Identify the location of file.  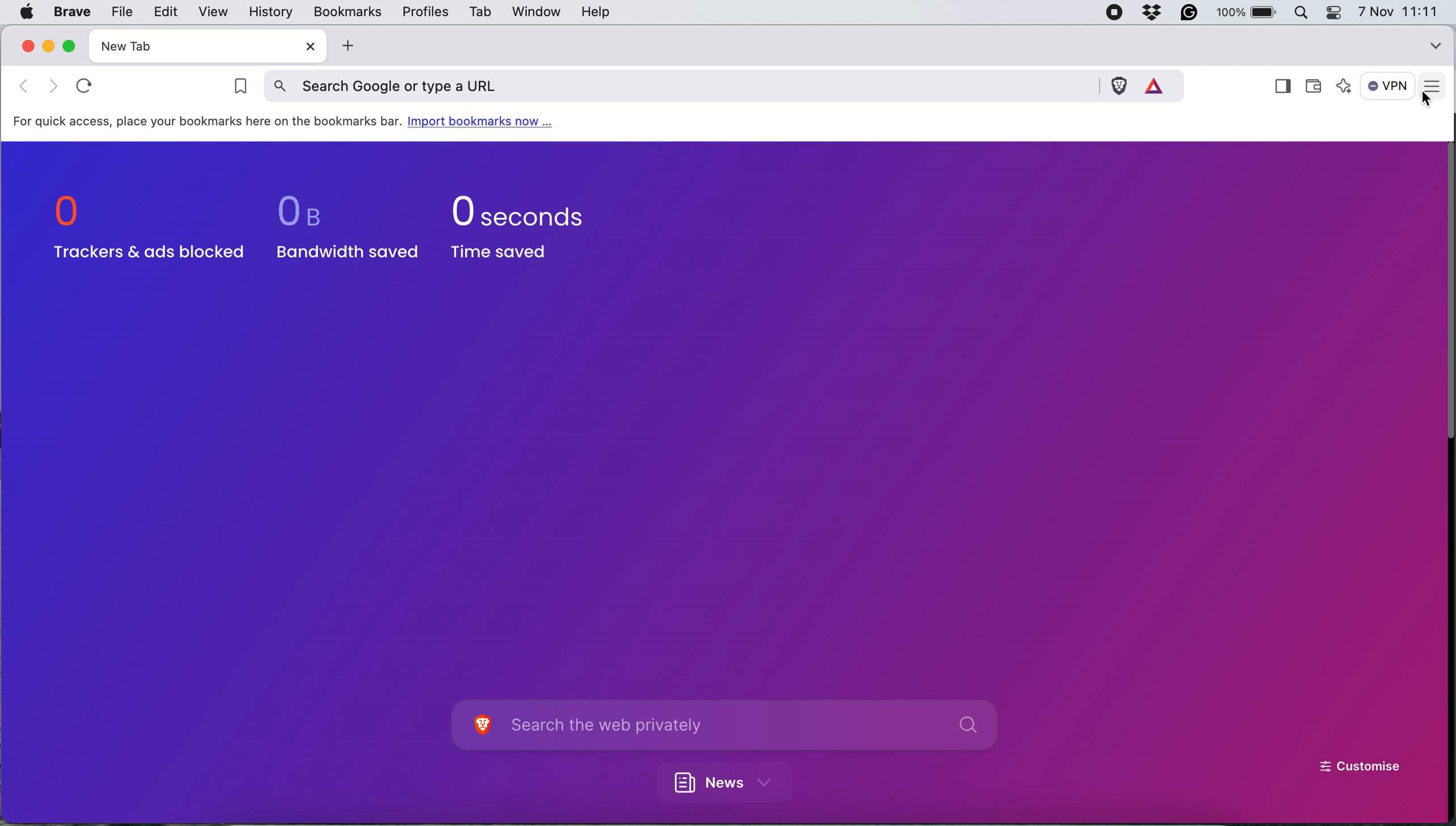
(119, 12).